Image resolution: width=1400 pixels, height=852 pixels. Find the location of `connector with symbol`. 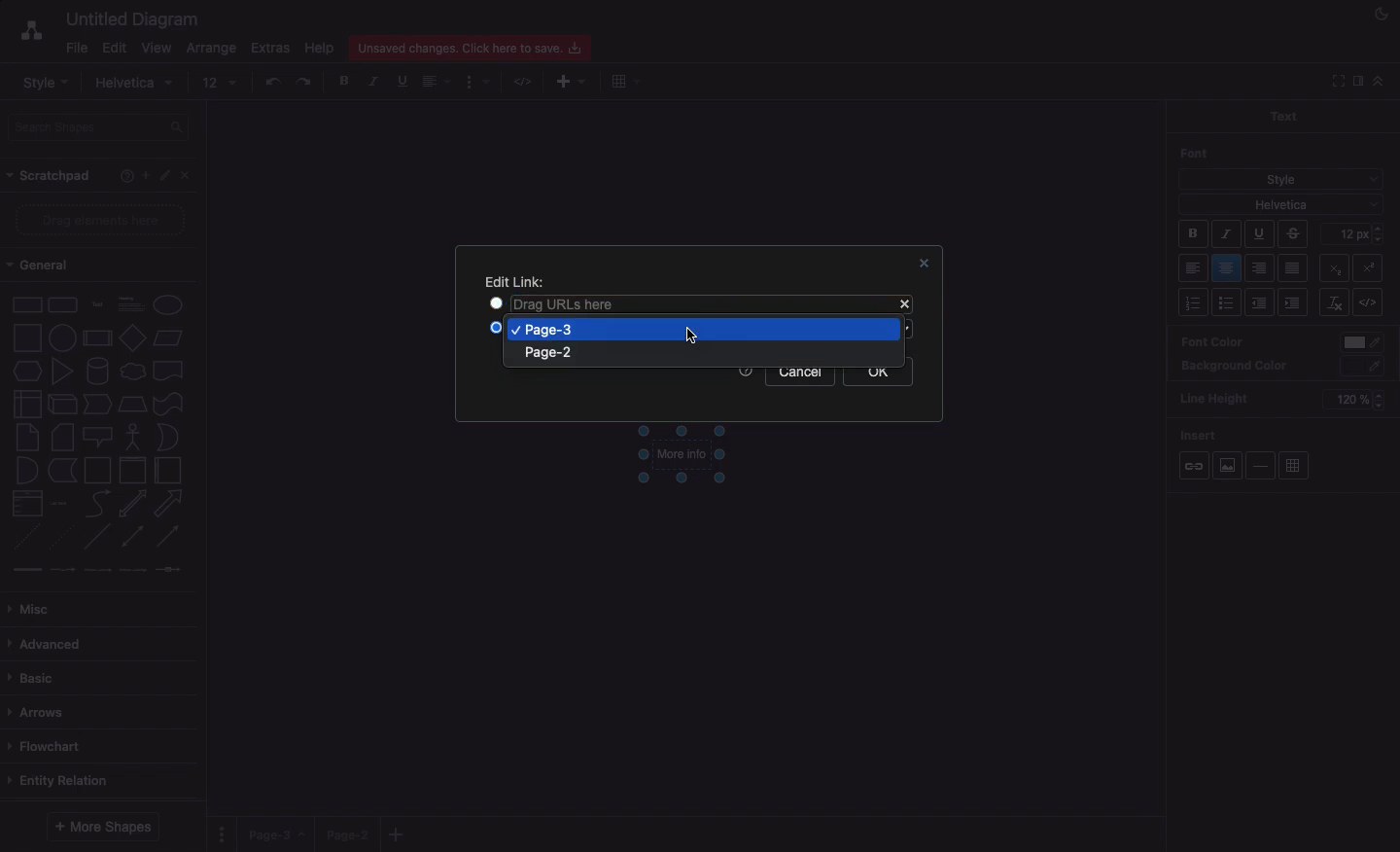

connector with symbol is located at coordinates (171, 569).